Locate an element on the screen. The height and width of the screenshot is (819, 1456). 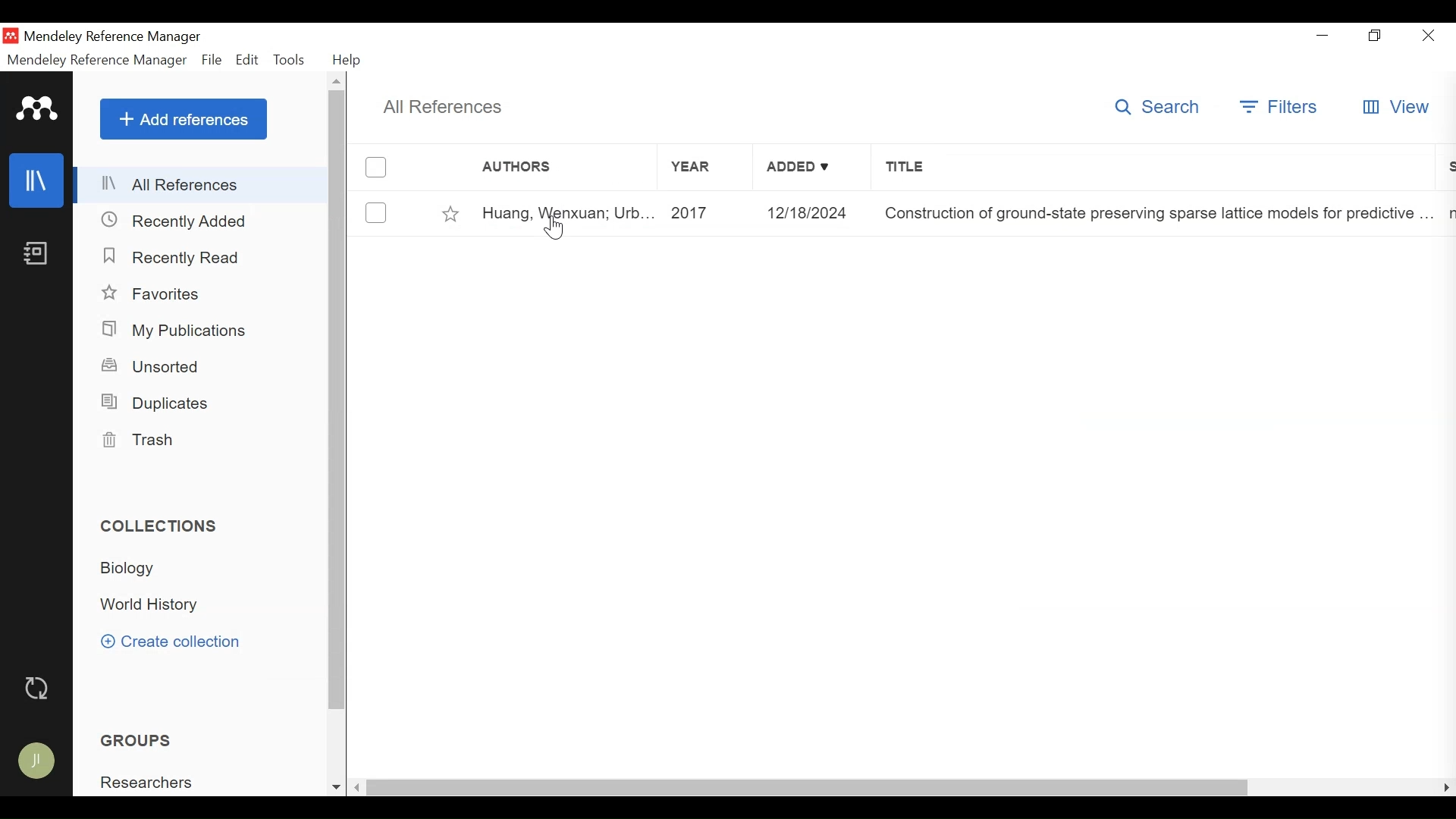
Recently Read is located at coordinates (168, 256).